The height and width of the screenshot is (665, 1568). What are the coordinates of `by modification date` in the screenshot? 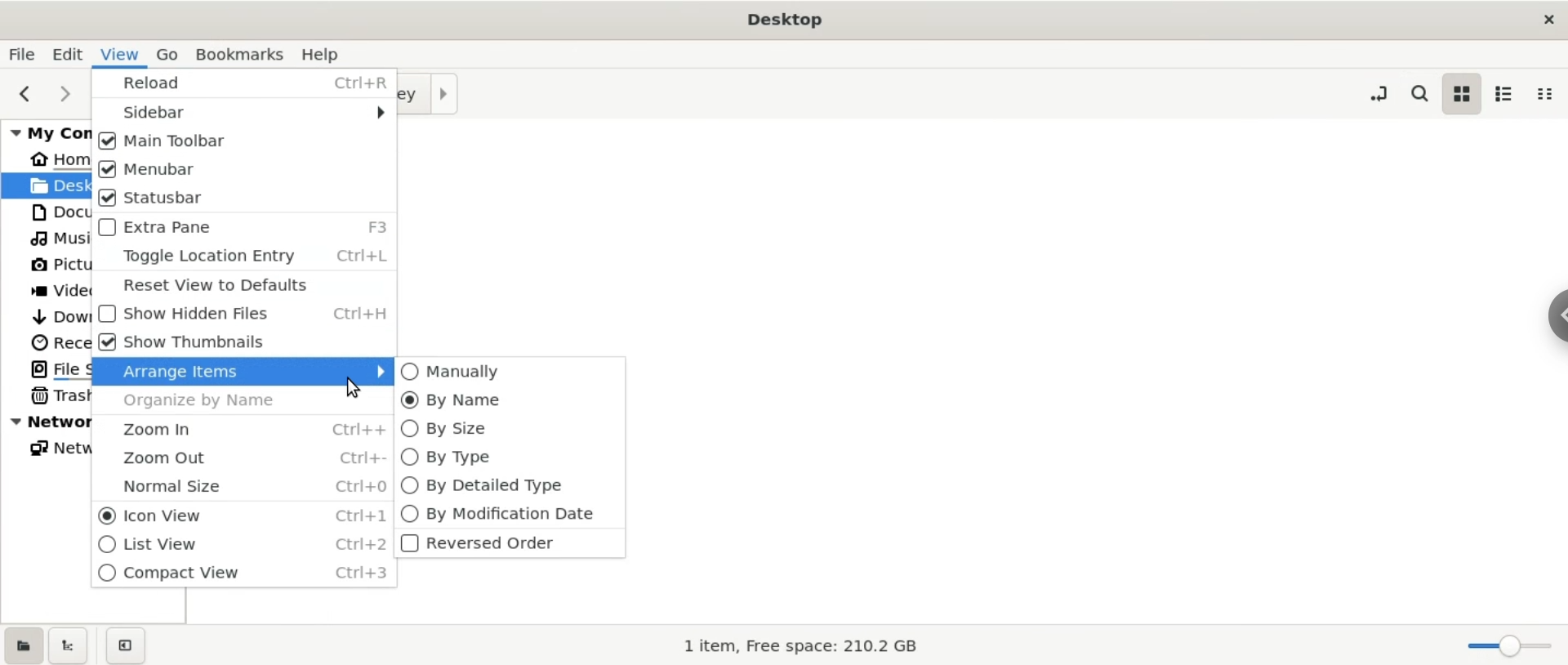 It's located at (512, 515).